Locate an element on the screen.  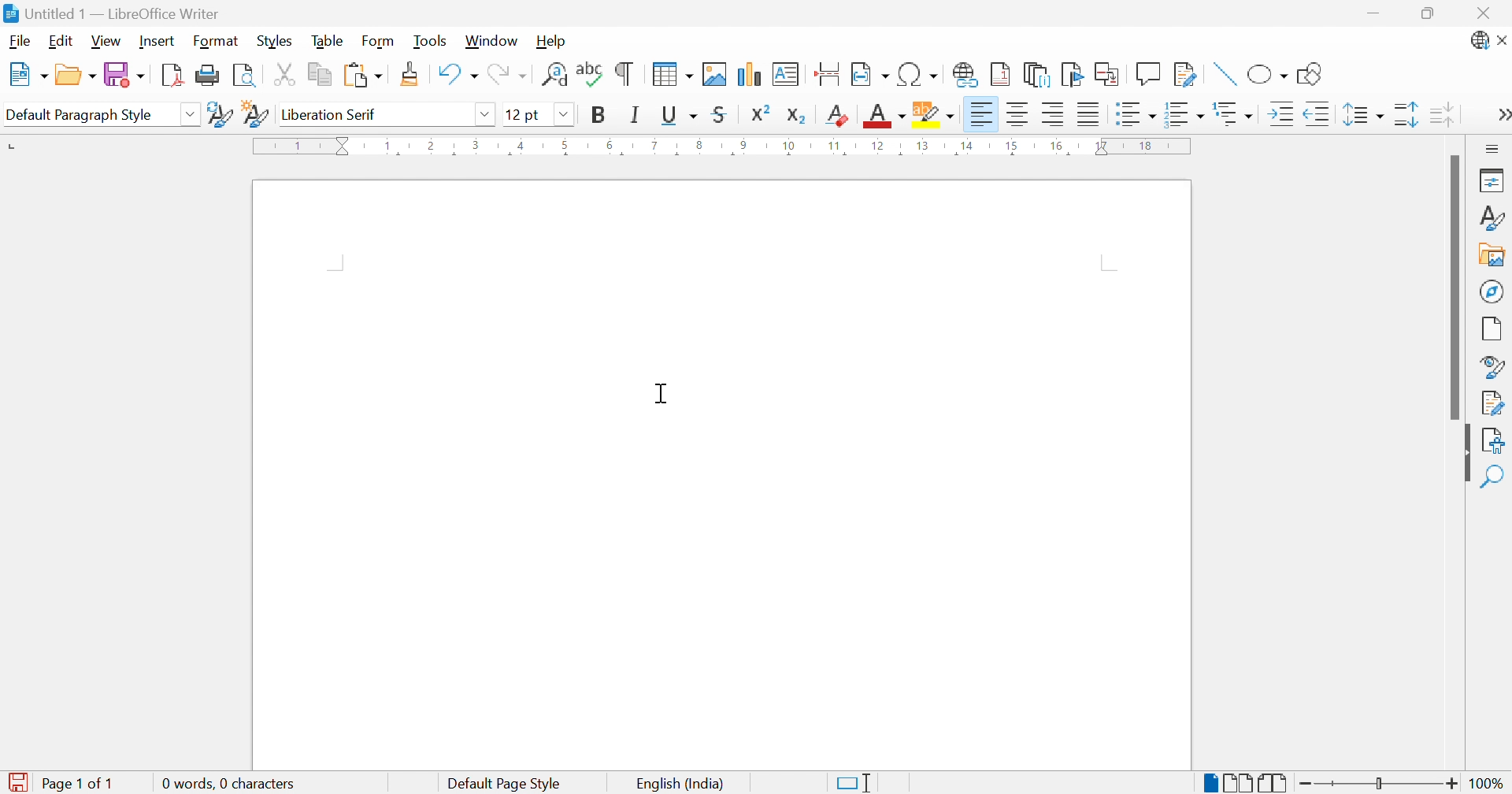
0 words, 0 characters is located at coordinates (230, 785).